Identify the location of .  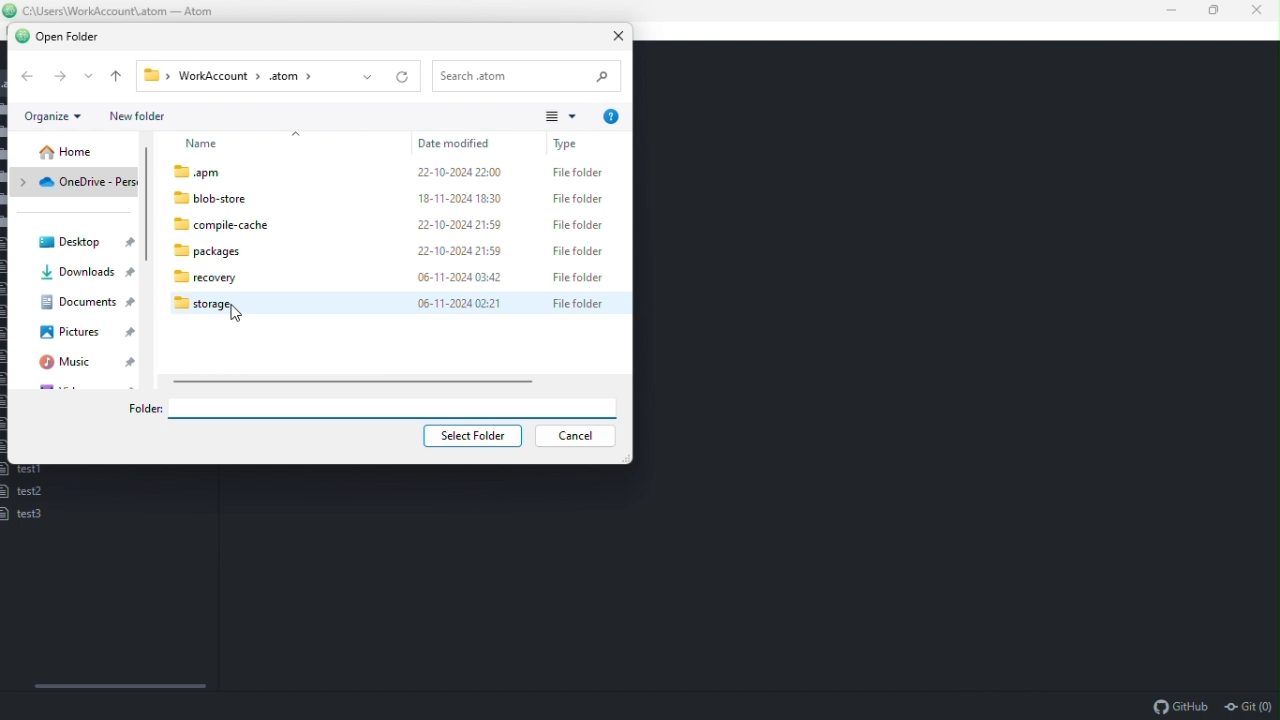
(70, 151).